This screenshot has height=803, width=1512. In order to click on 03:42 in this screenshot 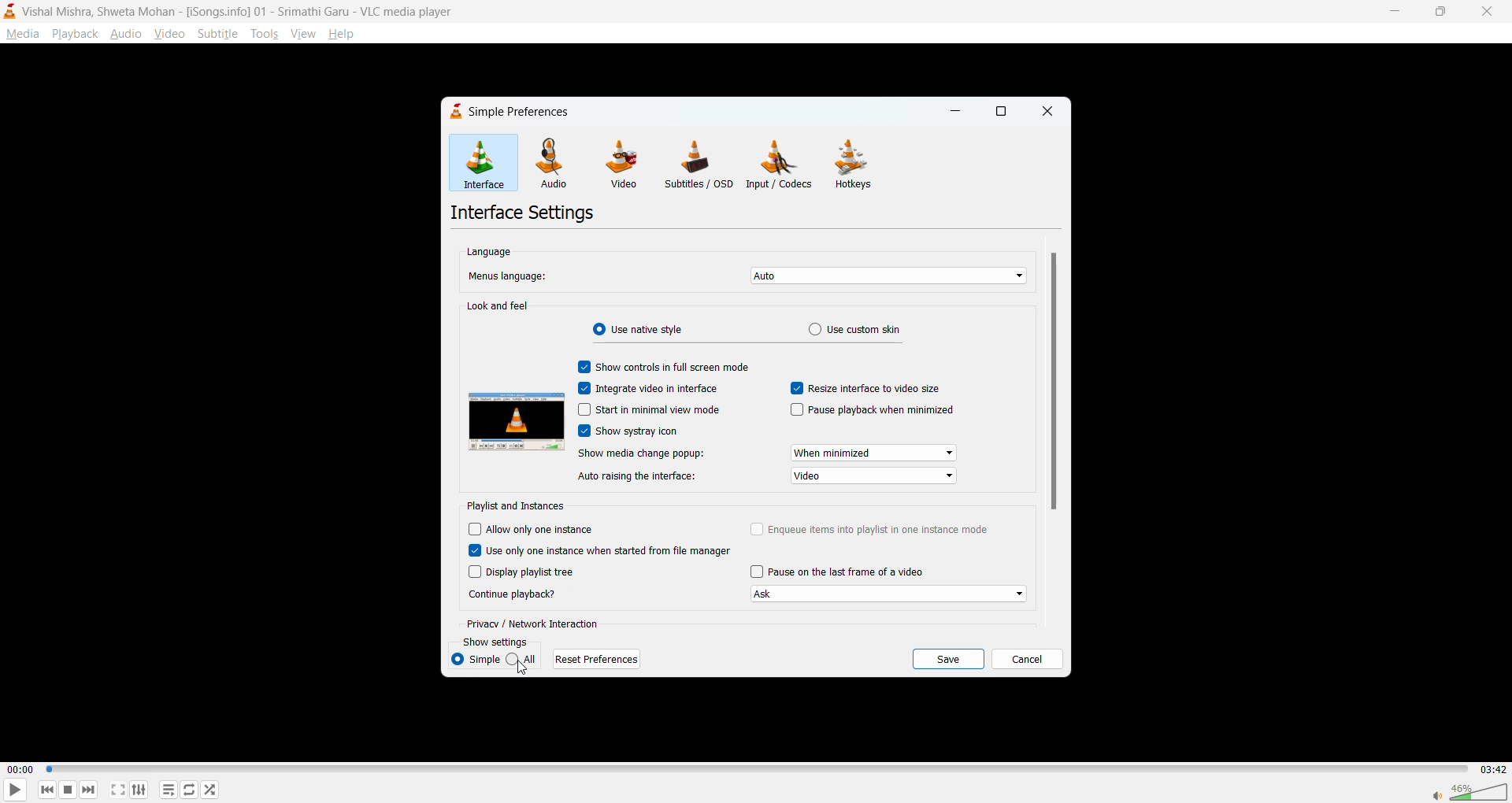, I will do `click(1490, 769)`.